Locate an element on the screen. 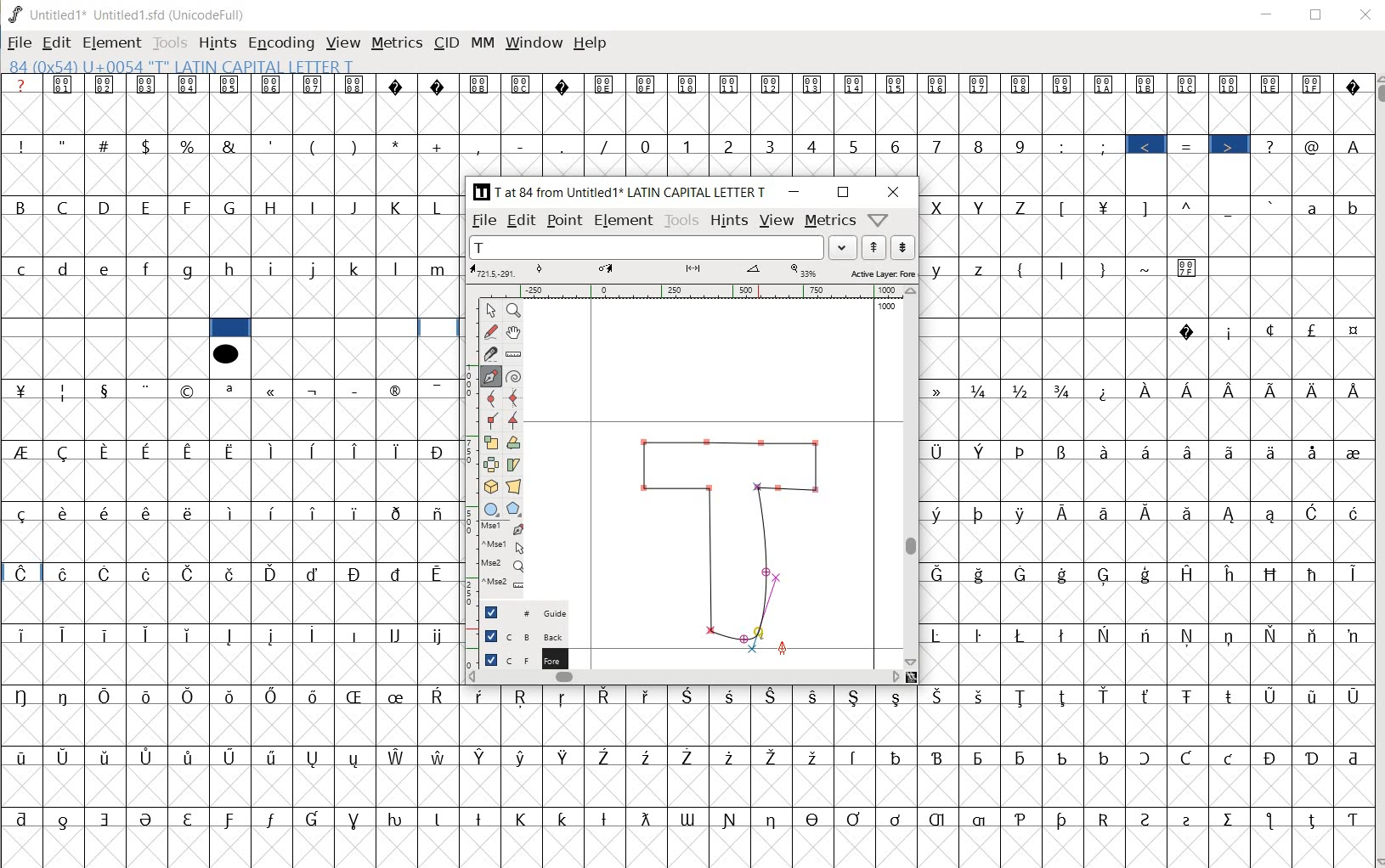 The height and width of the screenshot is (868, 1385). Symbol is located at coordinates (1104, 757).